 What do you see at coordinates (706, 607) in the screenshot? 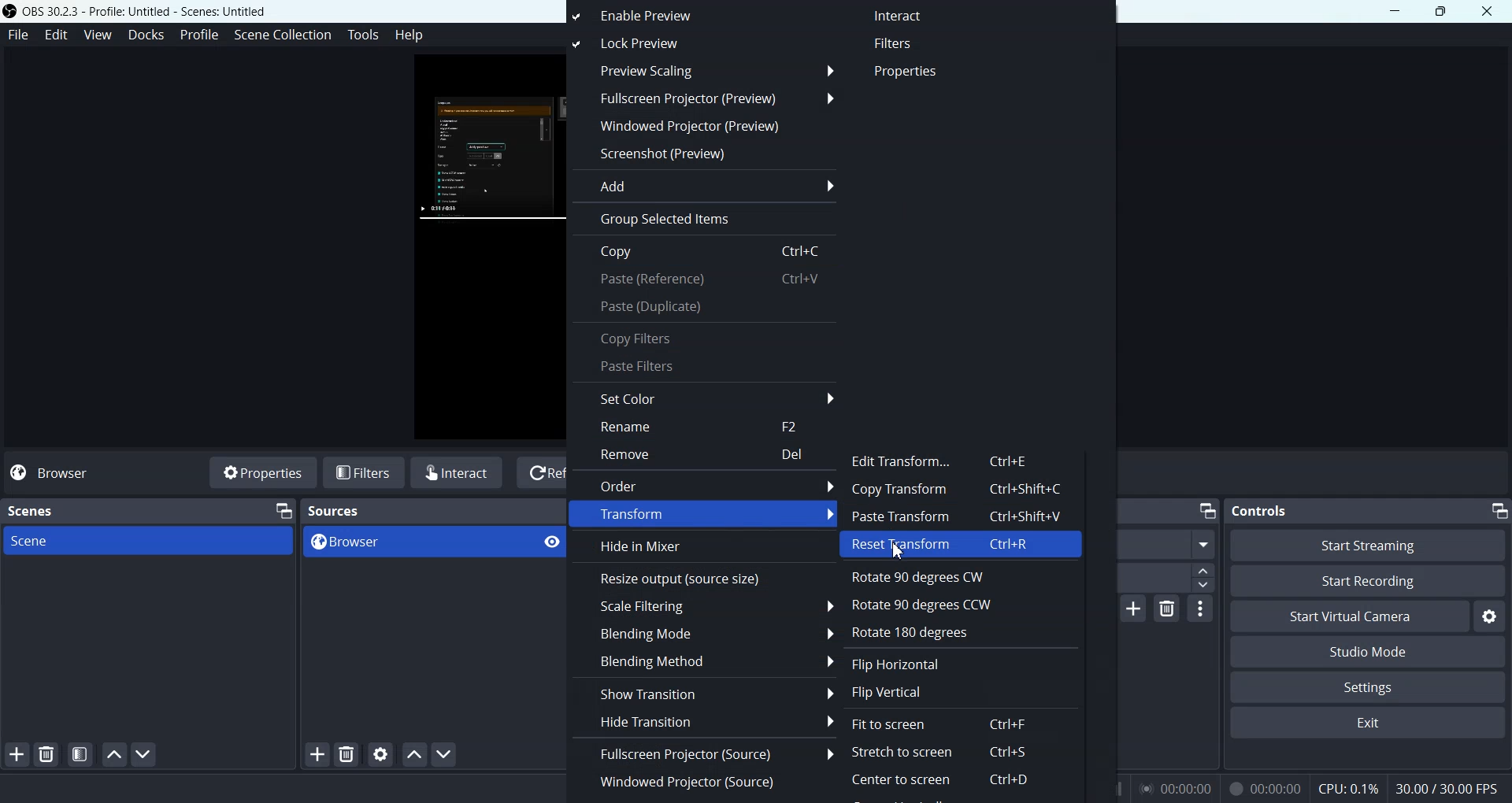
I see `Scale Filtering` at bounding box center [706, 607].